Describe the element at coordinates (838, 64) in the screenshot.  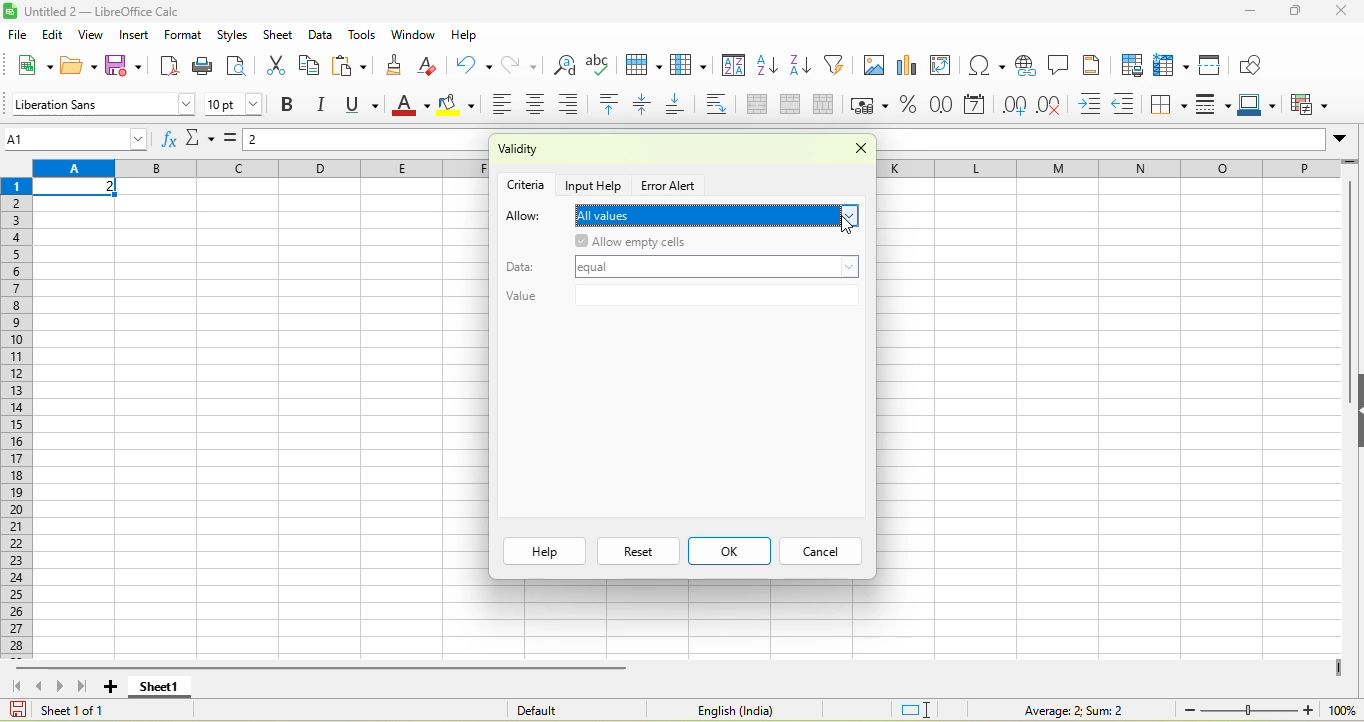
I see `auto filter` at that location.